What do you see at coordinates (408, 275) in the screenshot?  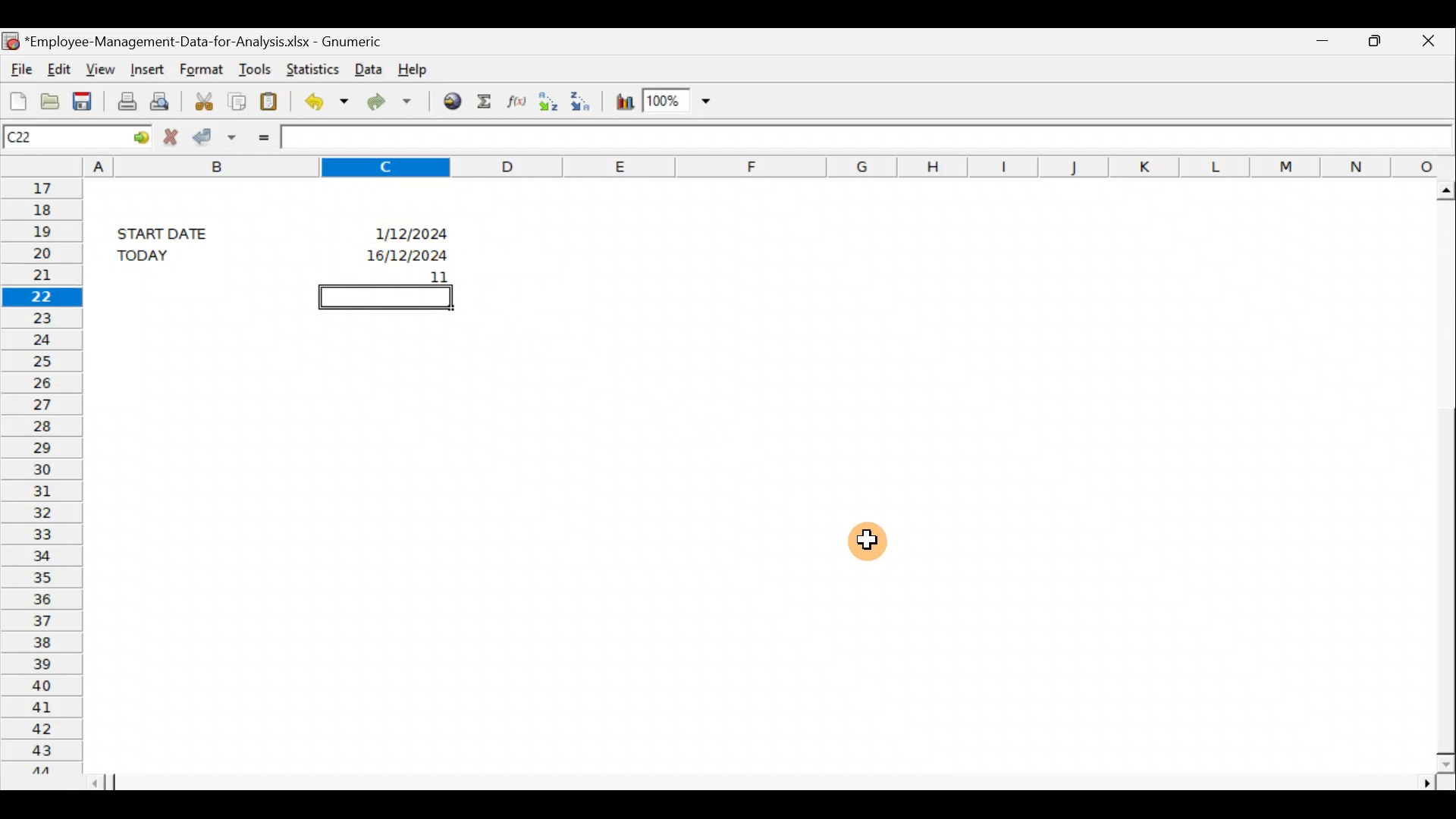 I see `11` at bounding box center [408, 275].